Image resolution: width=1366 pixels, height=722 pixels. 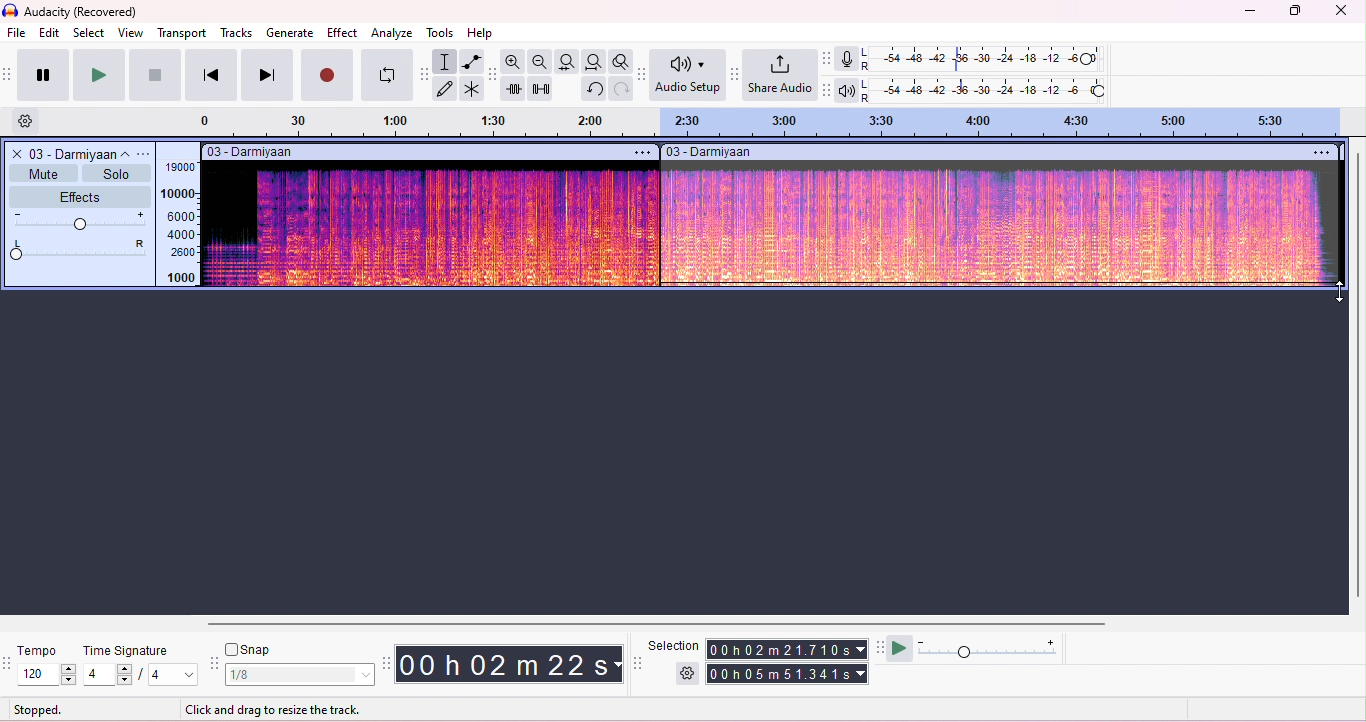 What do you see at coordinates (49, 674) in the screenshot?
I see `tempo selection` at bounding box center [49, 674].